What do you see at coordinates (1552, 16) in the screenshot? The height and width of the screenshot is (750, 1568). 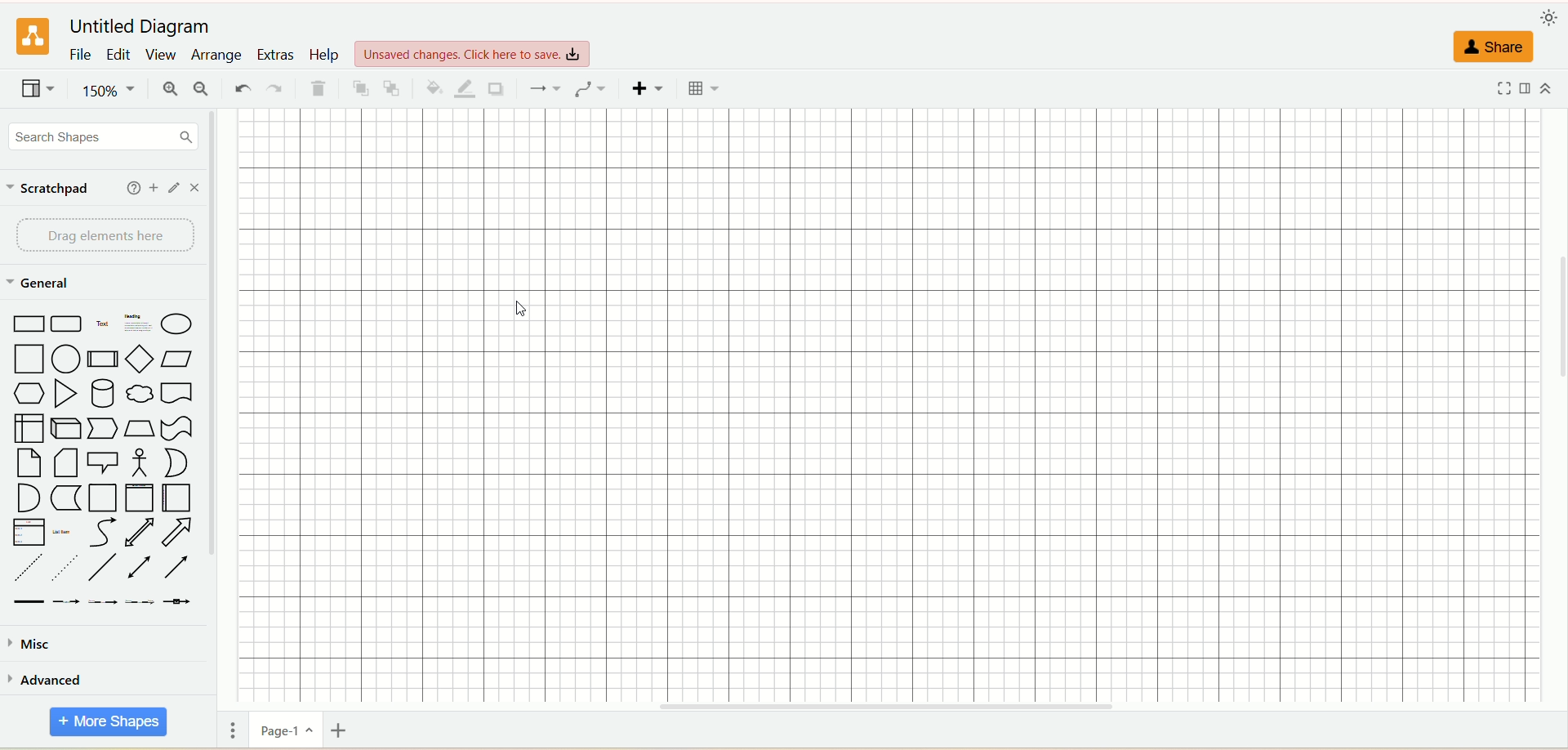 I see `appearance` at bounding box center [1552, 16].